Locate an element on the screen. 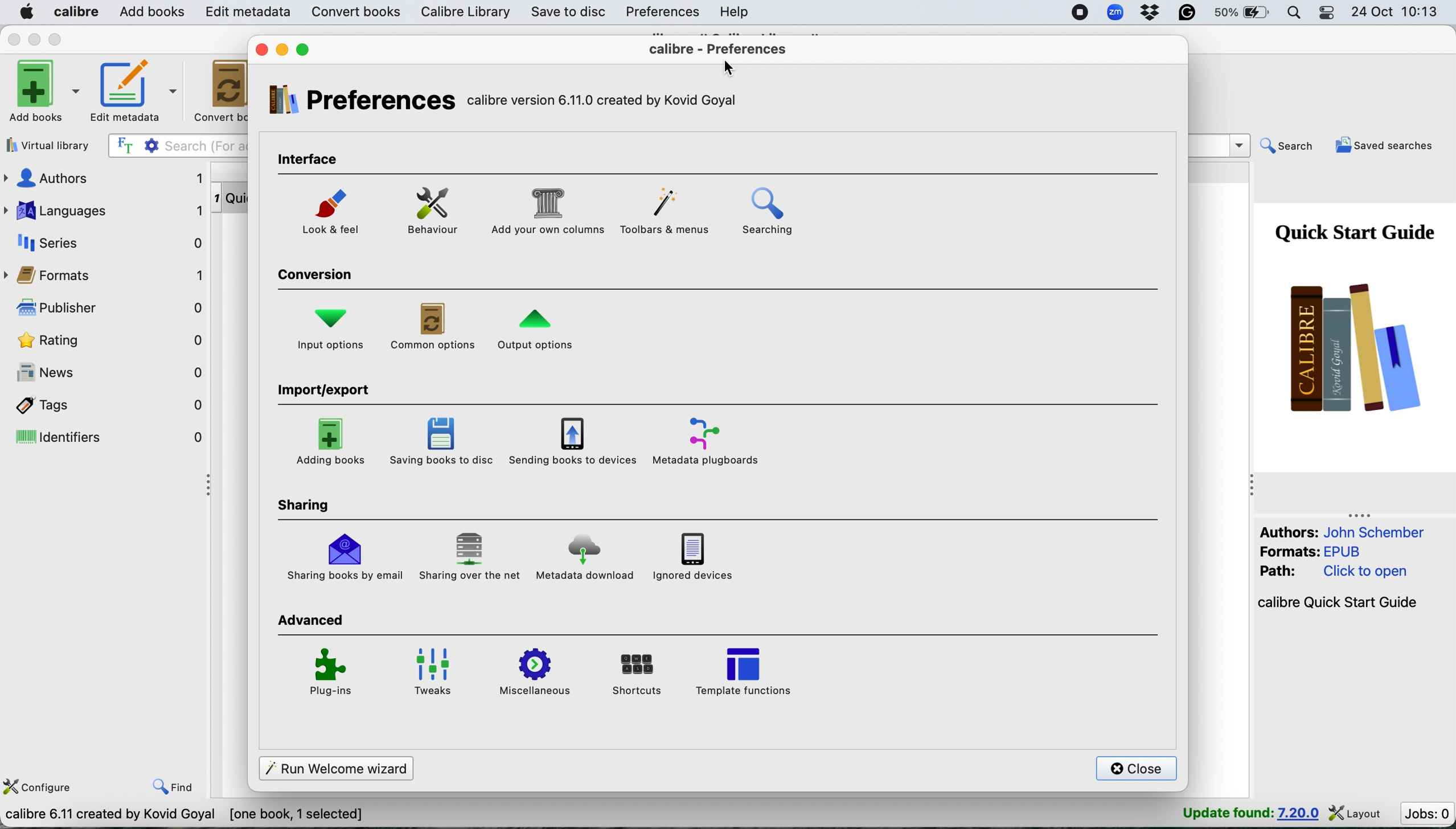 Image resolution: width=1456 pixels, height=829 pixels. find is located at coordinates (175, 786).